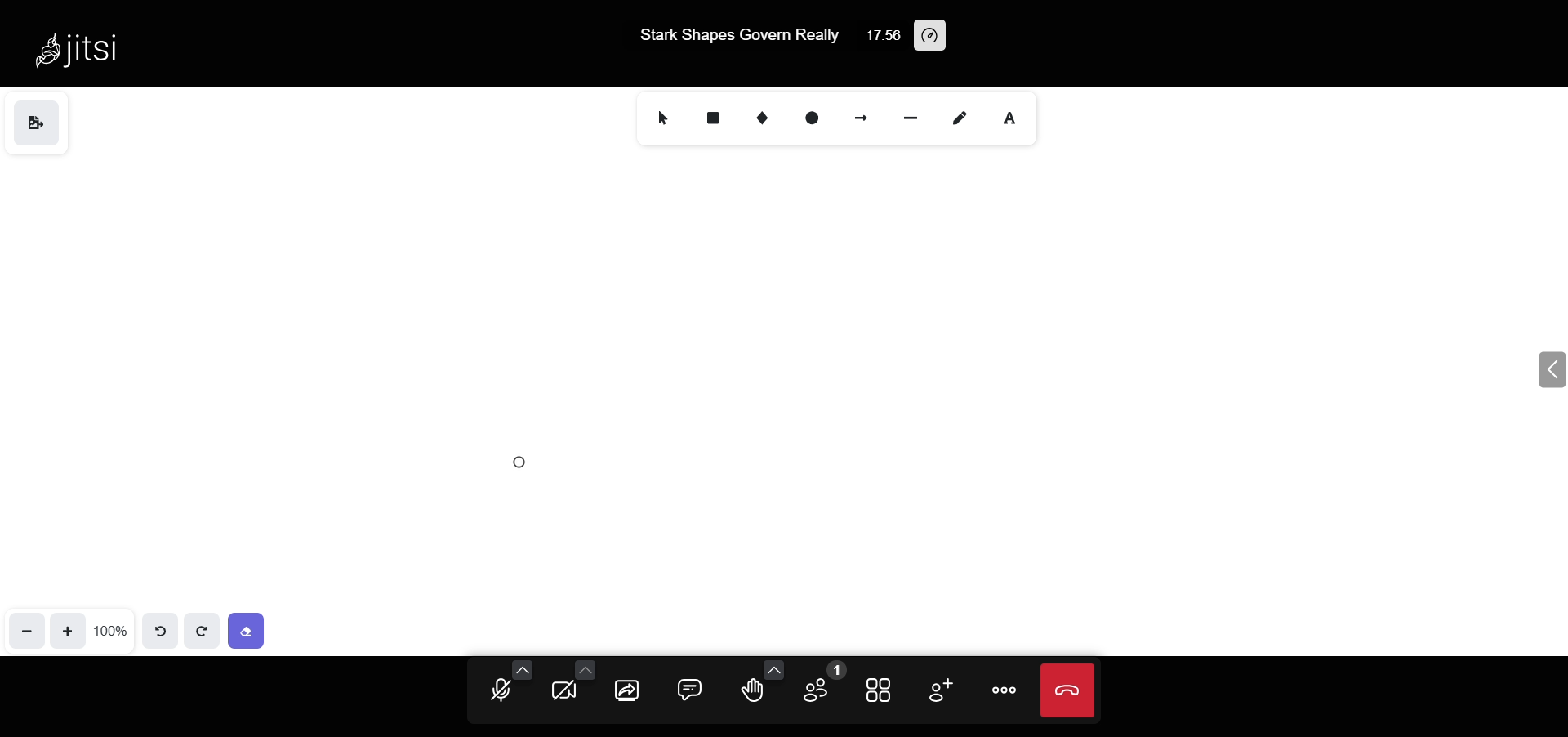  I want to click on save as image, so click(35, 123).